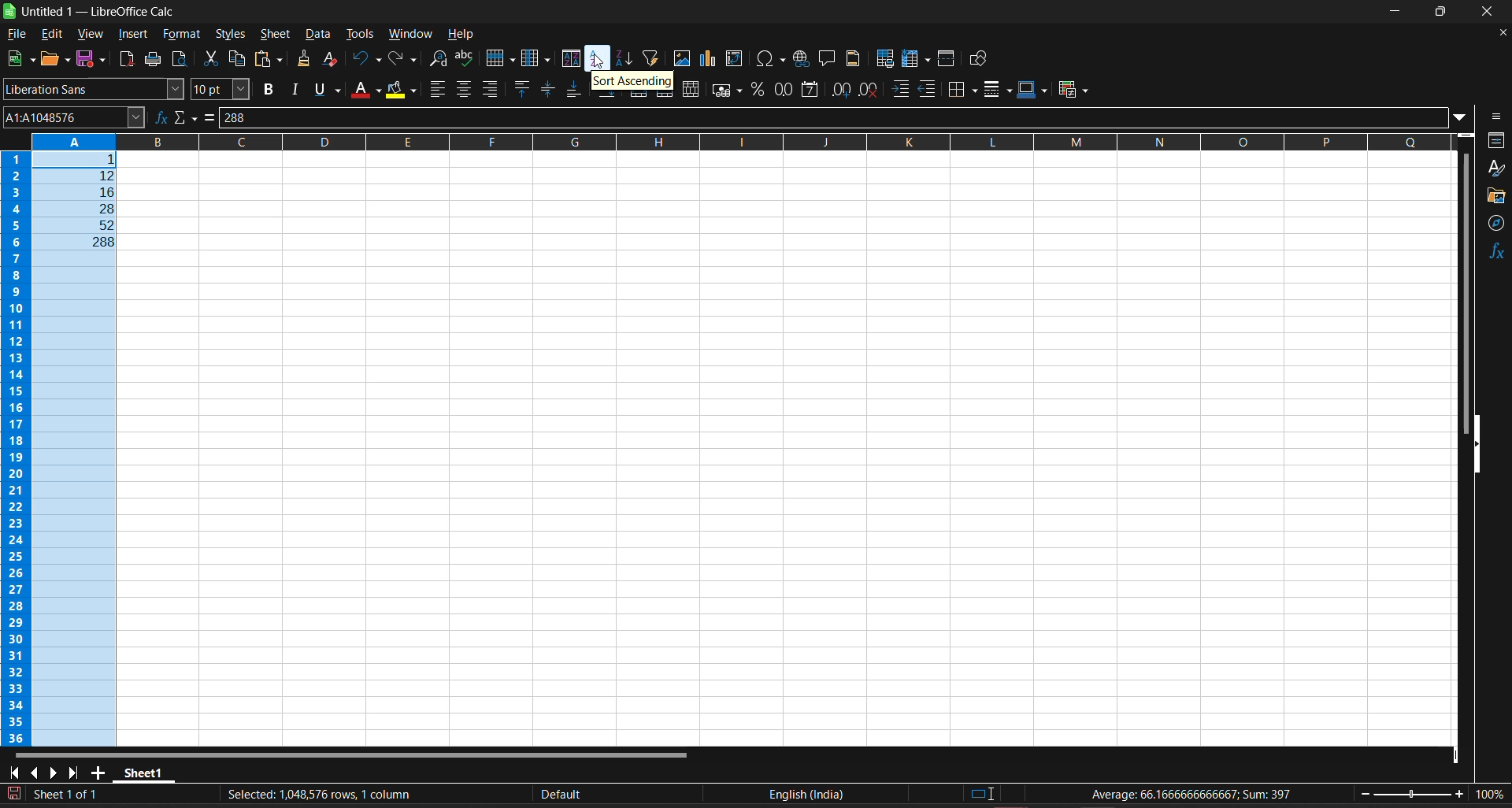 The image size is (1512, 808). Describe the element at coordinates (572, 60) in the screenshot. I see `sort` at that location.